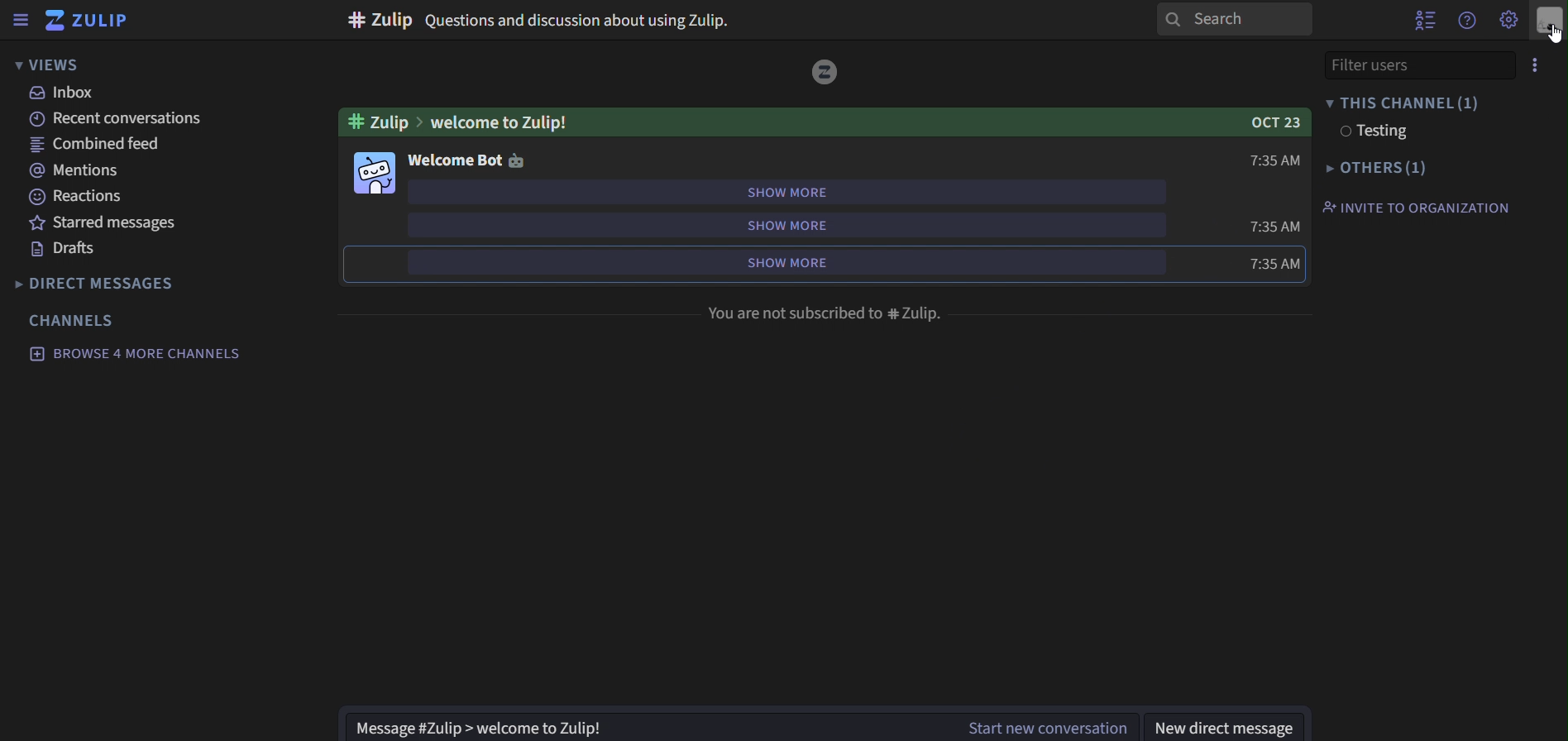 The image size is (1568, 741). What do you see at coordinates (1370, 169) in the screenshot?
I see `others(1)` at bounding box center [1370, 169].